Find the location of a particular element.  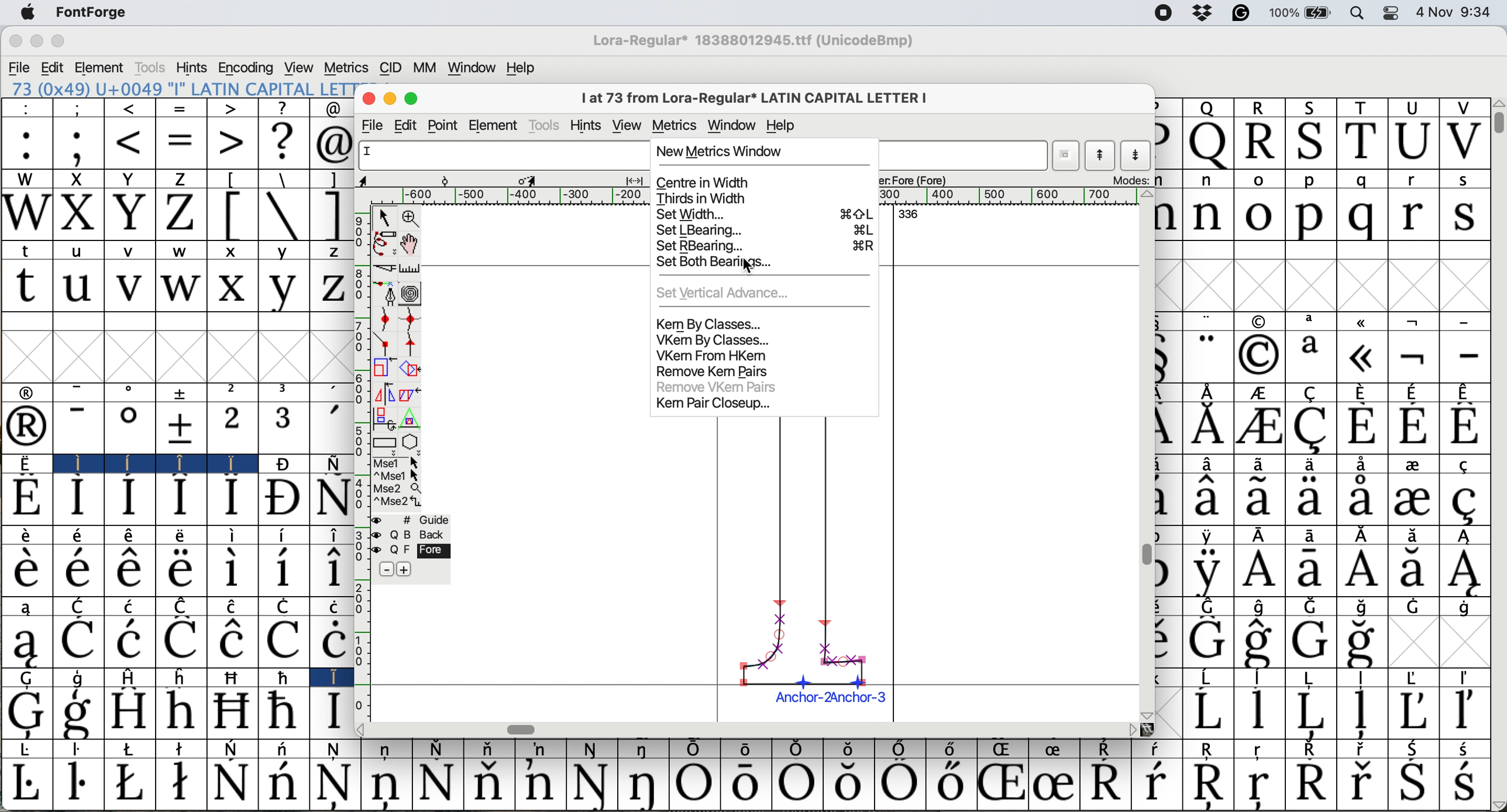

Symbol is located at coordinates (181, 499).